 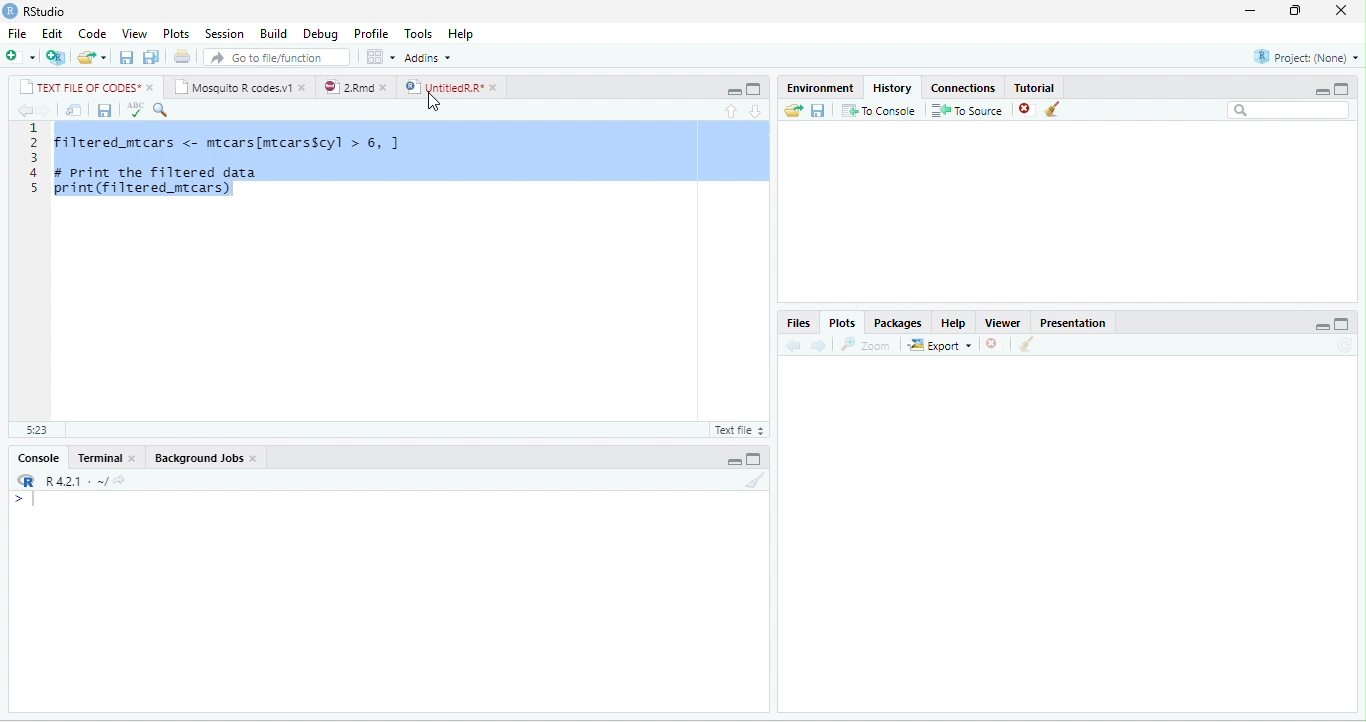 What do you see at coordinates (153, 87) in the screenshot?
I see `close` at bounding box center [153, 87].